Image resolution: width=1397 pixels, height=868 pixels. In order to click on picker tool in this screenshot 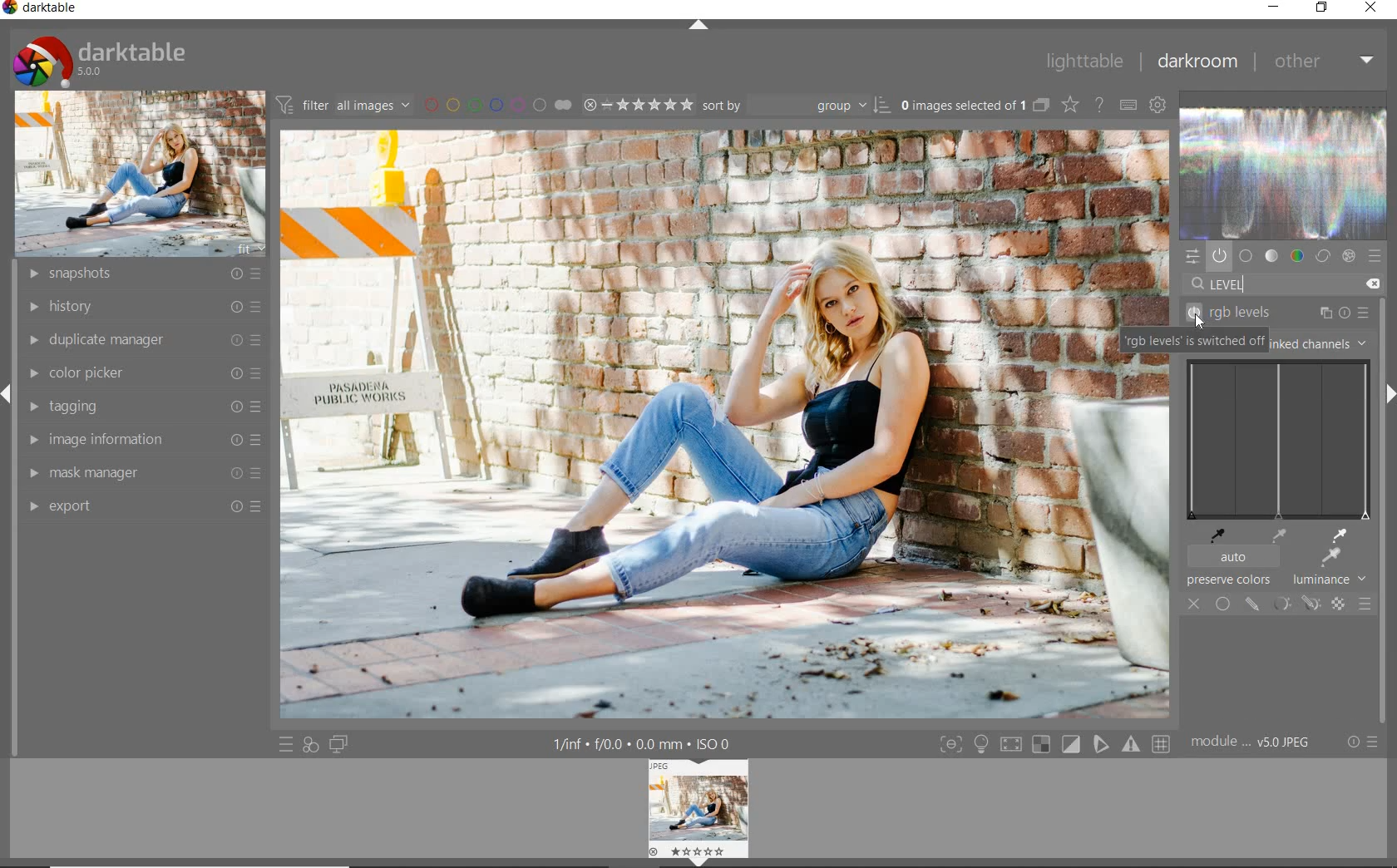, I will do `click(1330, 557)`.